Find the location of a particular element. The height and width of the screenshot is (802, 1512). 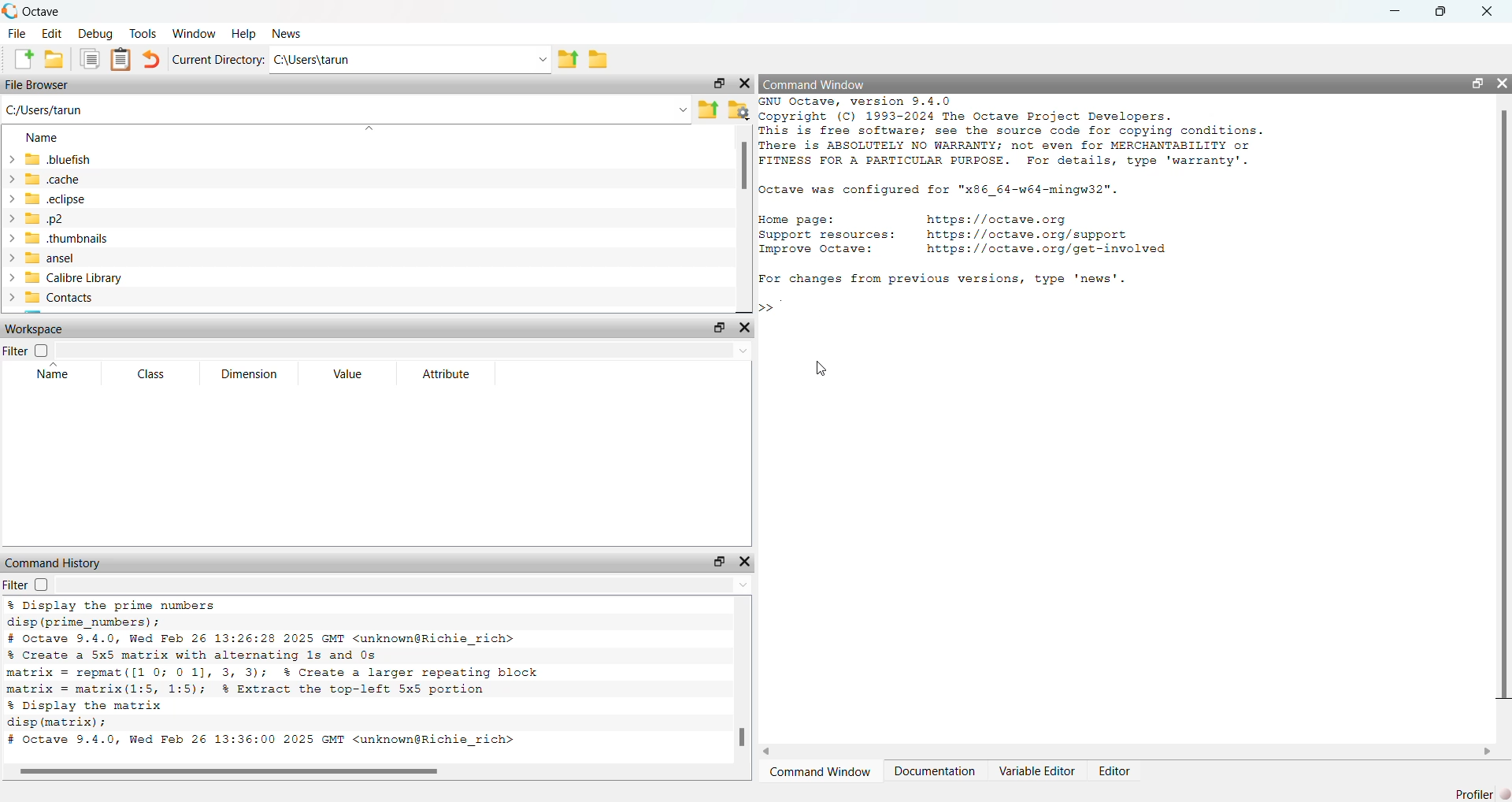

logo is located at coordinates (9, 10).